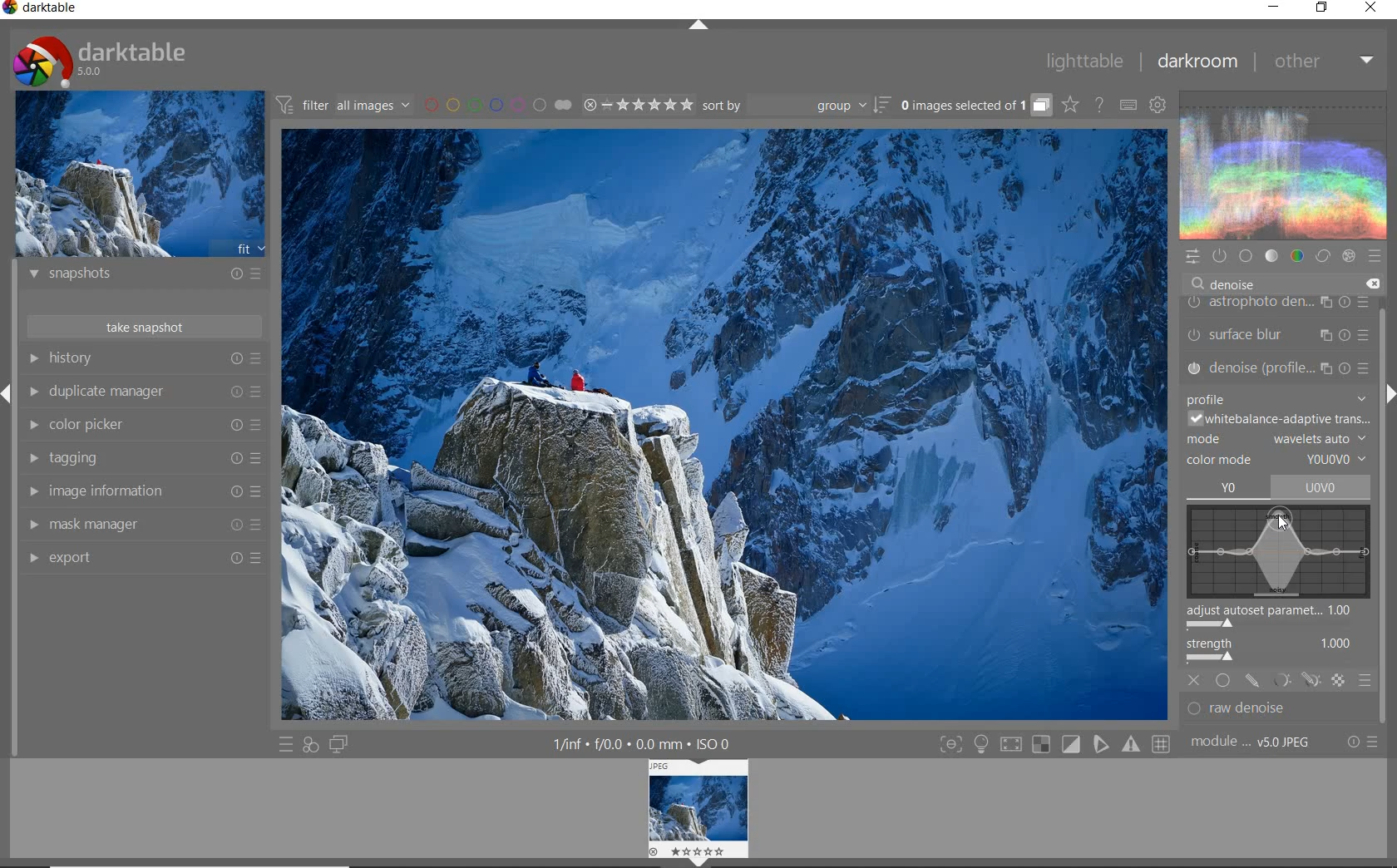  What do you see at coordinates (100, 62) in the screenshot?
I see `Darktable 5.0.0` at bounding box center [100, 62].